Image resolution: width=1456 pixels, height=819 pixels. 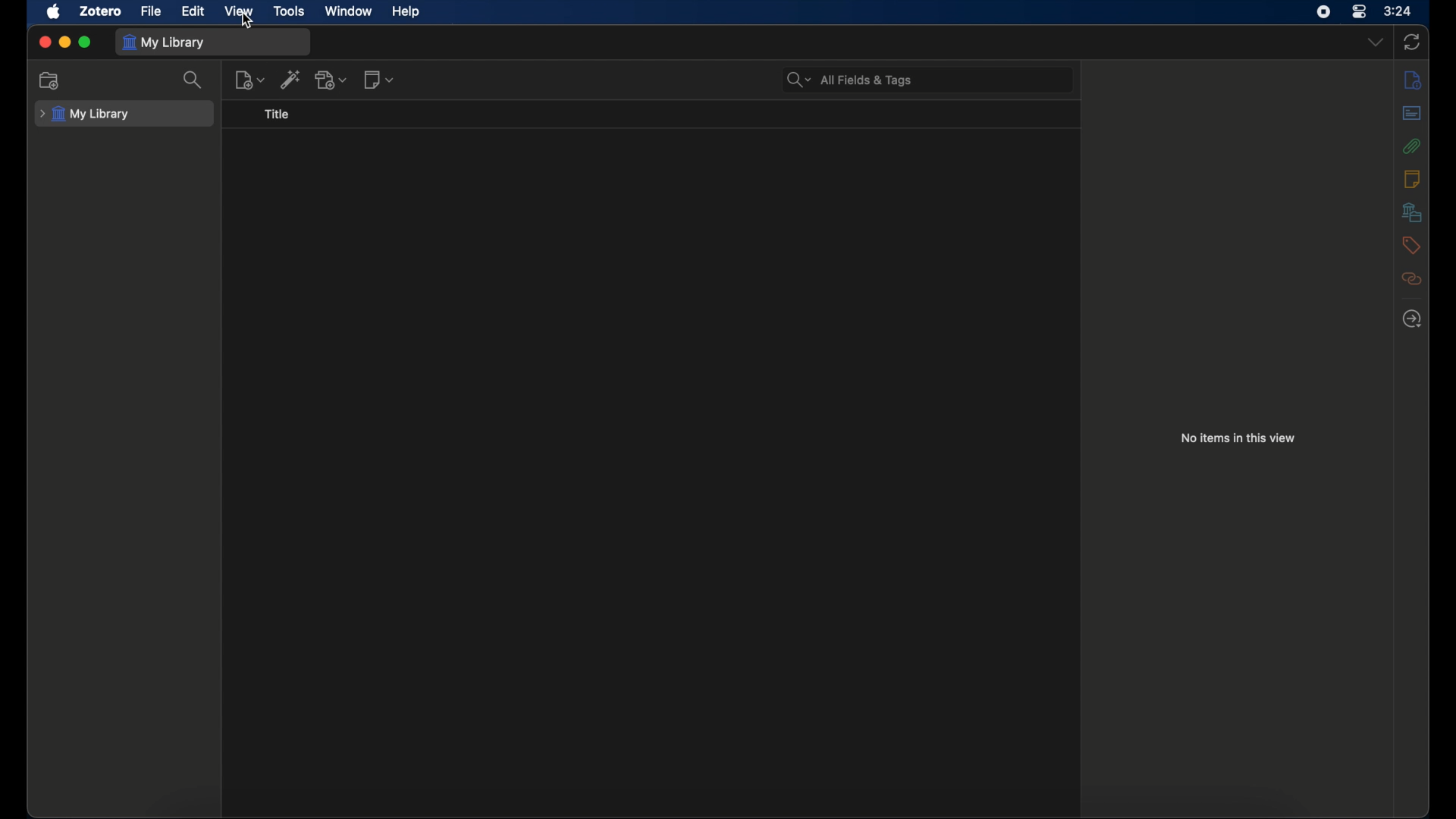 What do you see at coordinates (1414, 79) in the screenshot?
I see `info` at bounding box center [1414, 79].